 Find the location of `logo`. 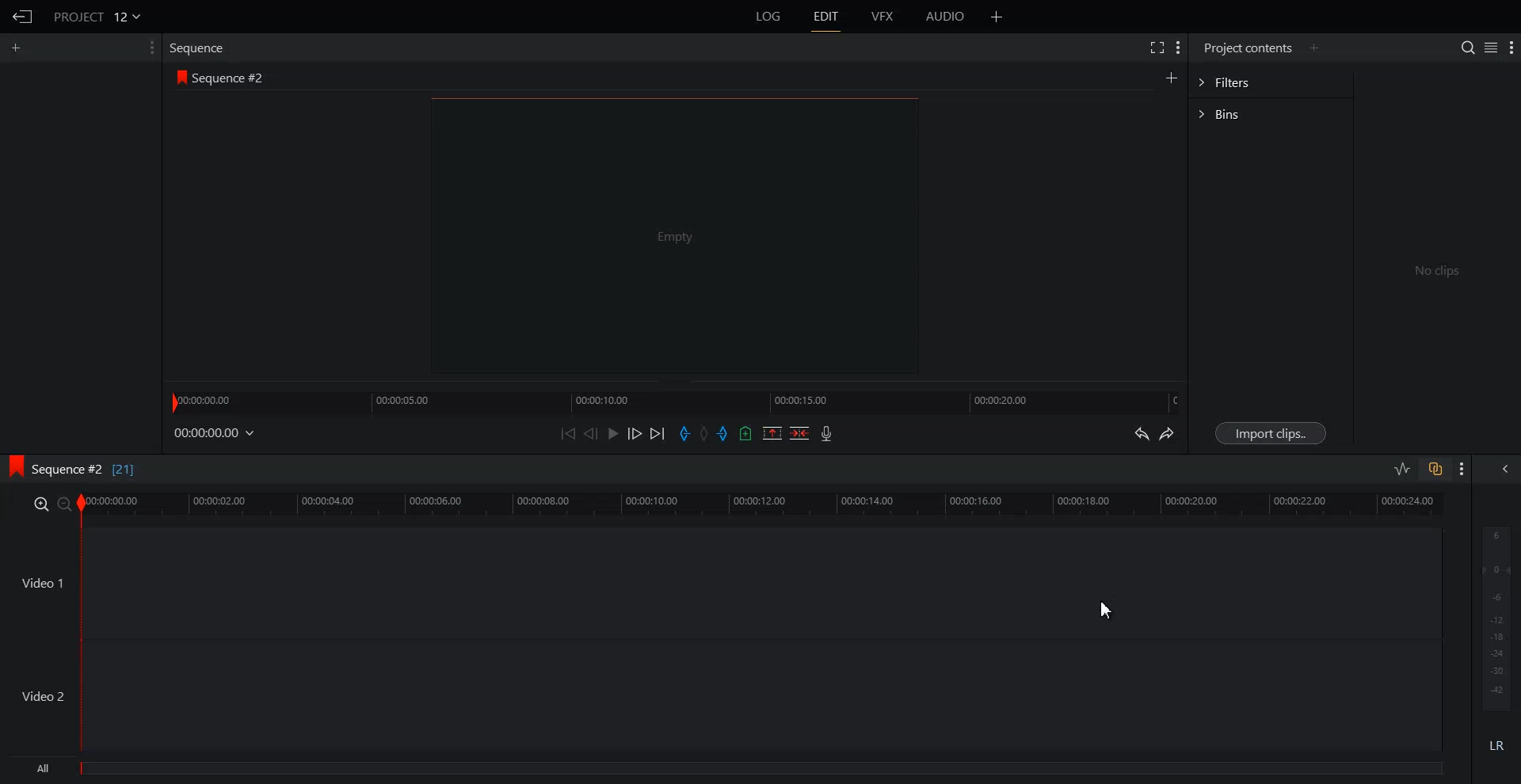

logo is located at coordinates (178, 78).